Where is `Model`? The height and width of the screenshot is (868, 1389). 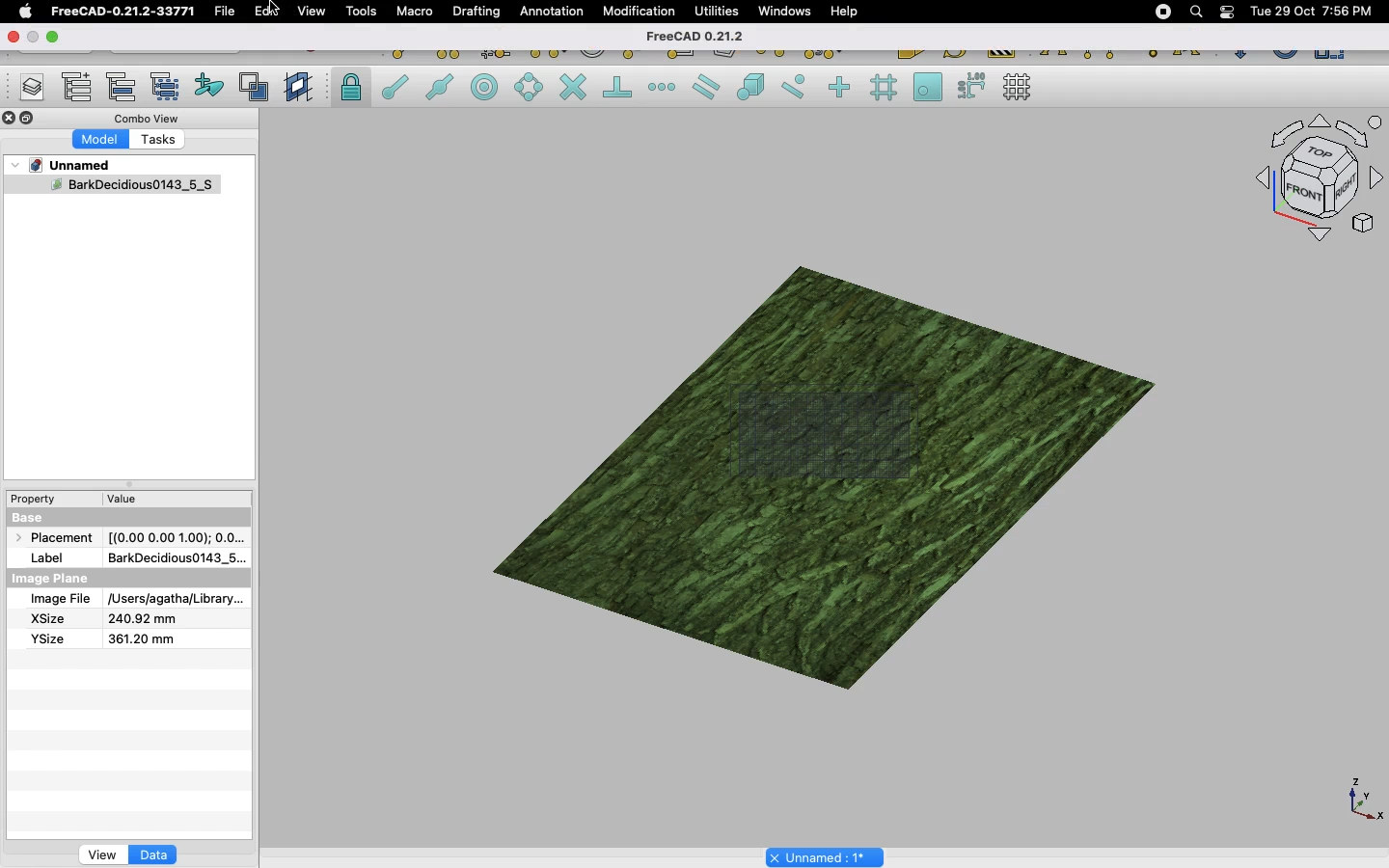 Model is located at coordinates (101, 140).